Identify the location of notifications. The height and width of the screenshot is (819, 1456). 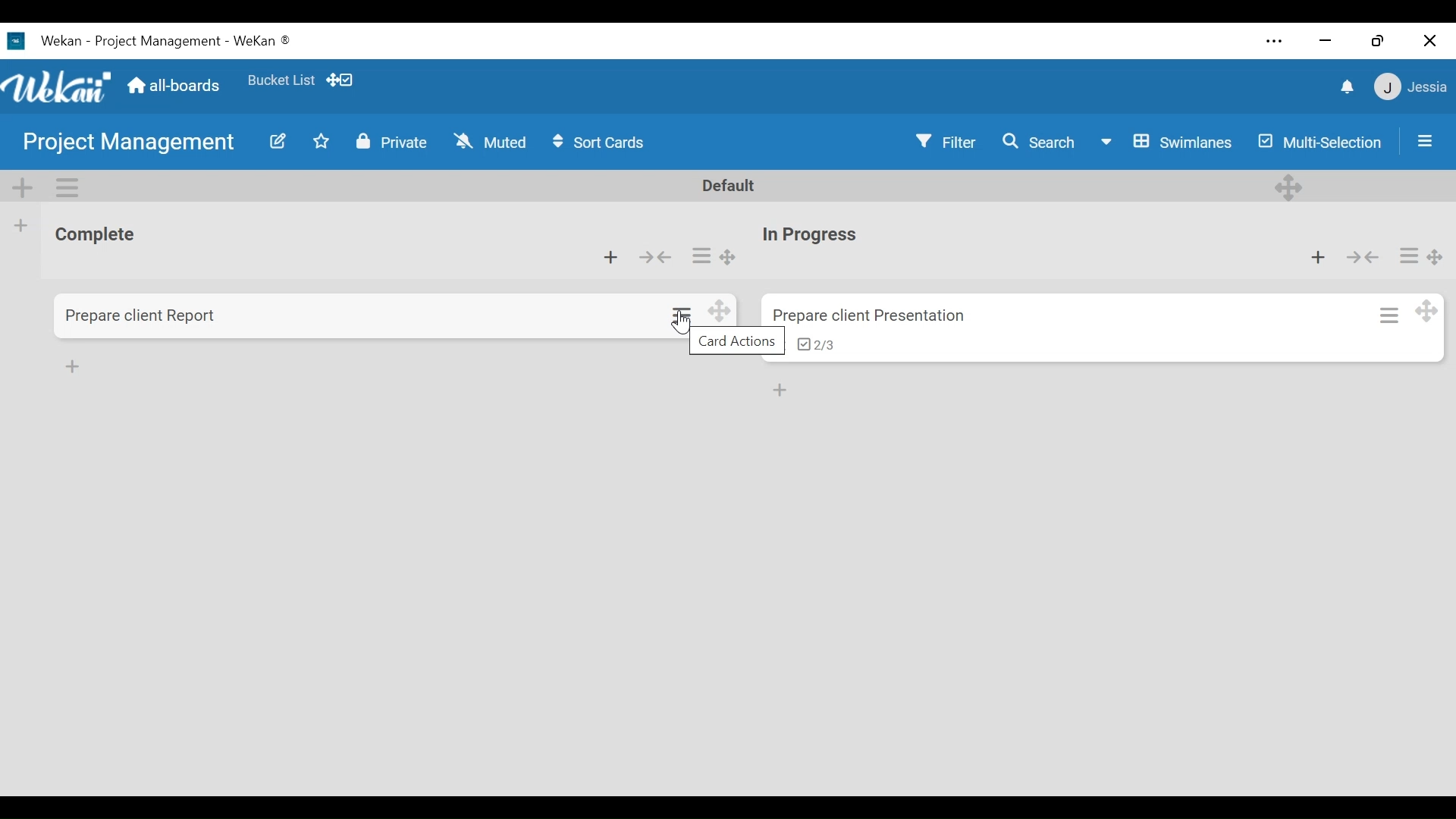
(1346, 86).